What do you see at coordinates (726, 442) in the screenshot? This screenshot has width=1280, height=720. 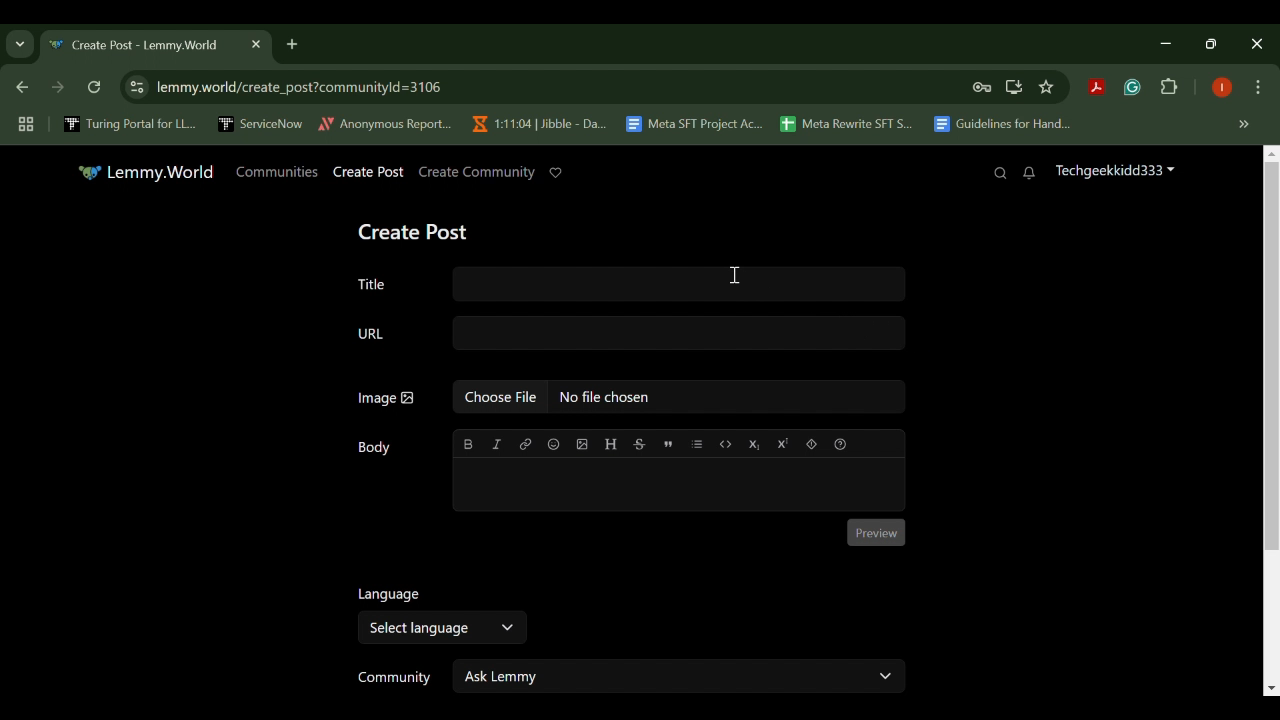 I see `code ` at bounding box center [726, 442].